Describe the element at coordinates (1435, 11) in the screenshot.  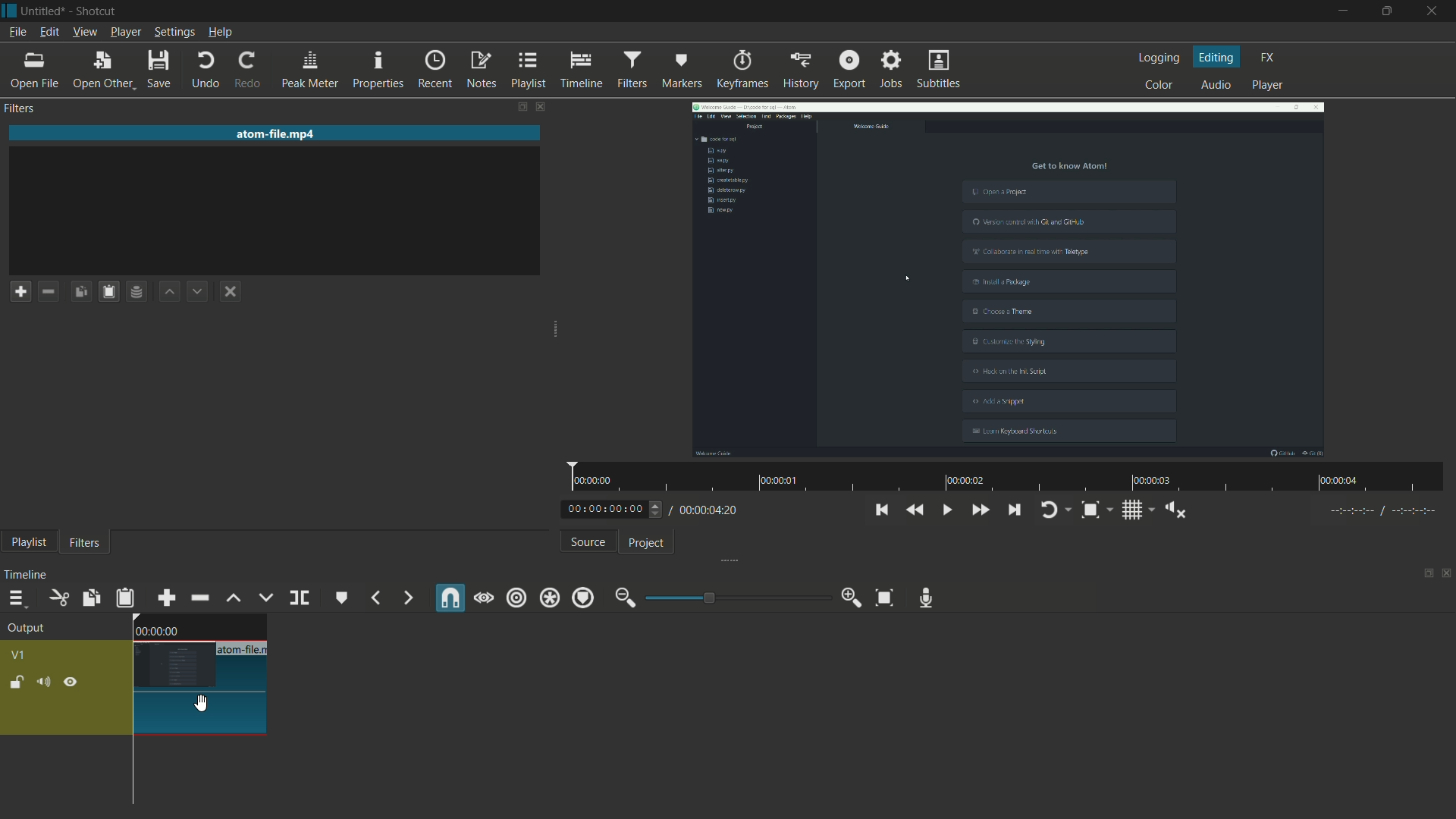
I see `close app` at that location.